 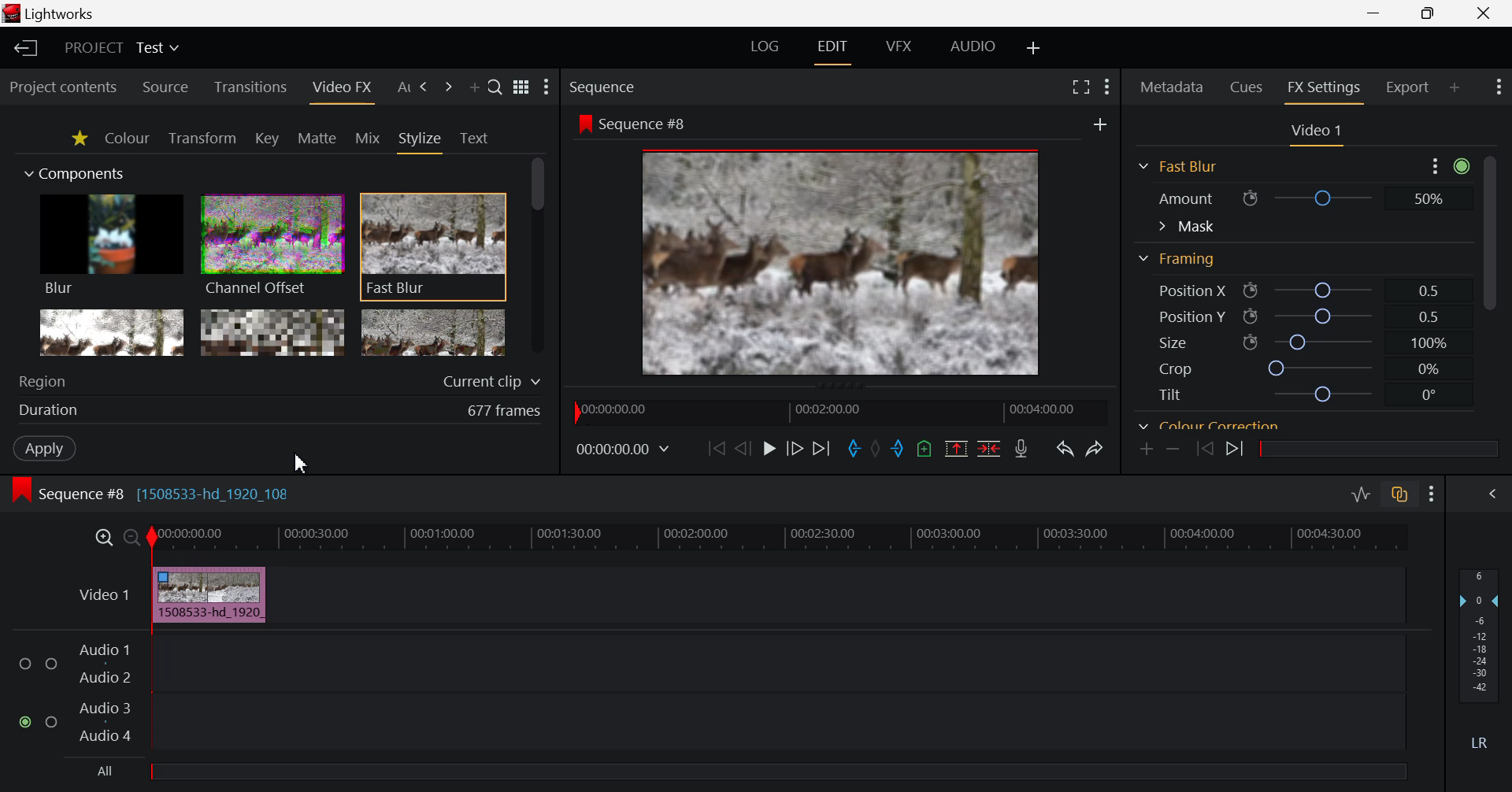 I want to click on Tilt, so click(x=1299, y=393).